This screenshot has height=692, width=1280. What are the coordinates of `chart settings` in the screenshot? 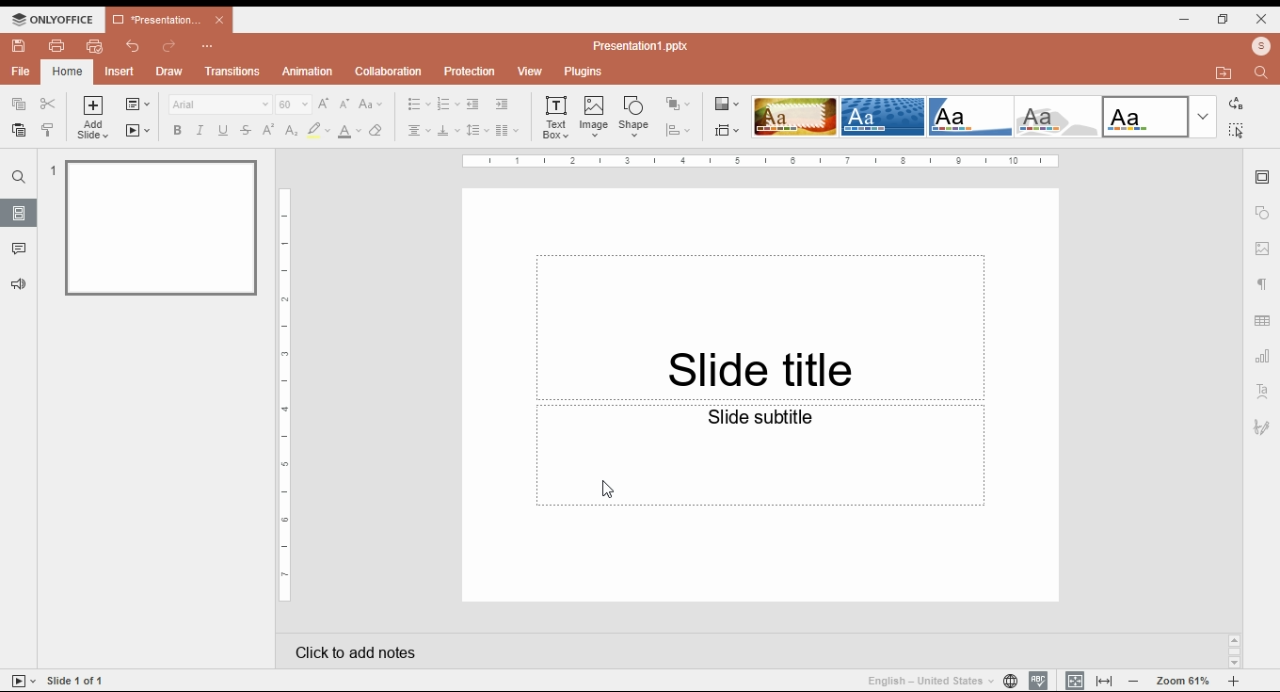 It's located at (1264, 356).